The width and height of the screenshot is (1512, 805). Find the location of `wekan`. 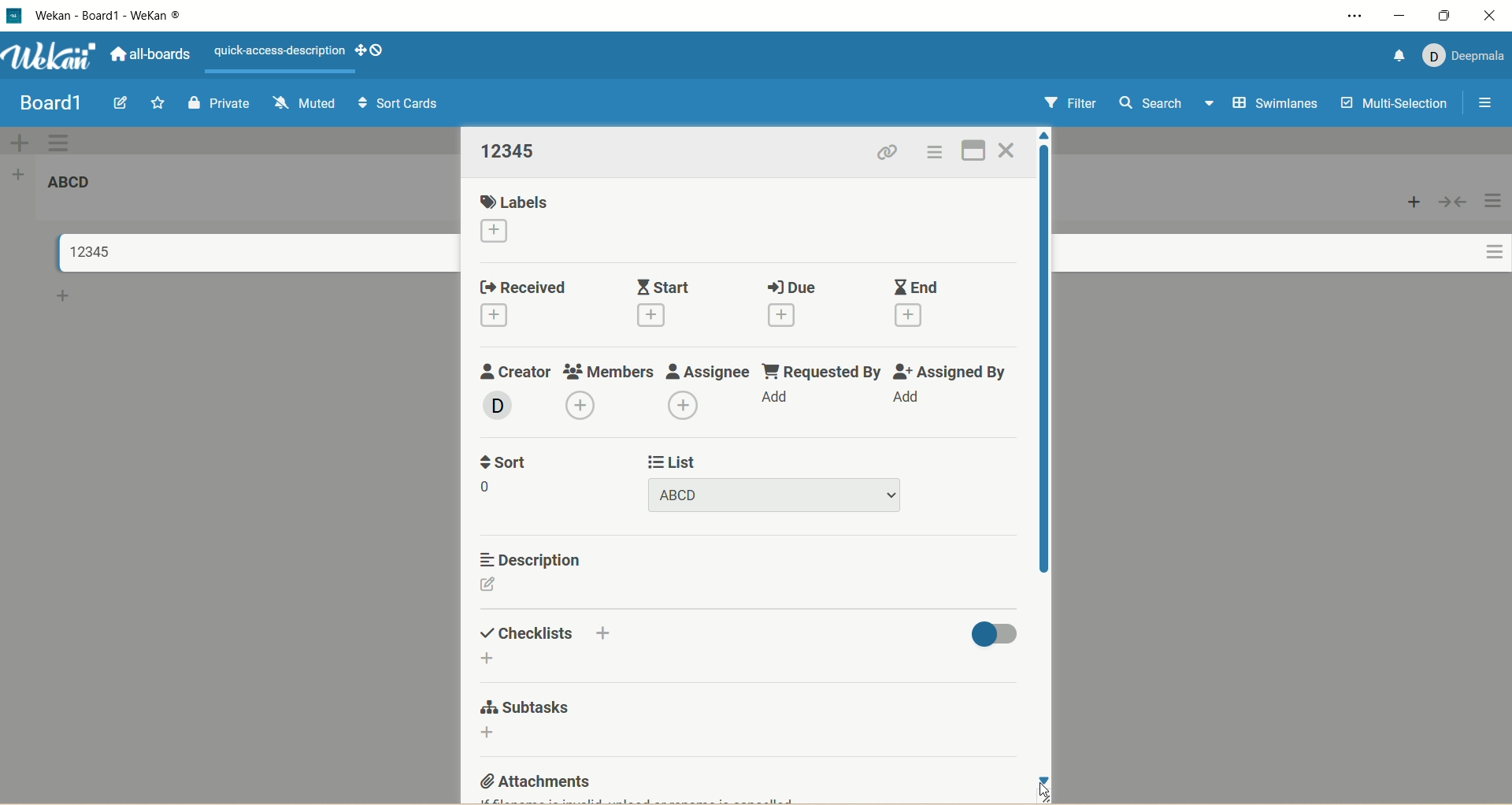

wekan is located at coordinates (51, 58).